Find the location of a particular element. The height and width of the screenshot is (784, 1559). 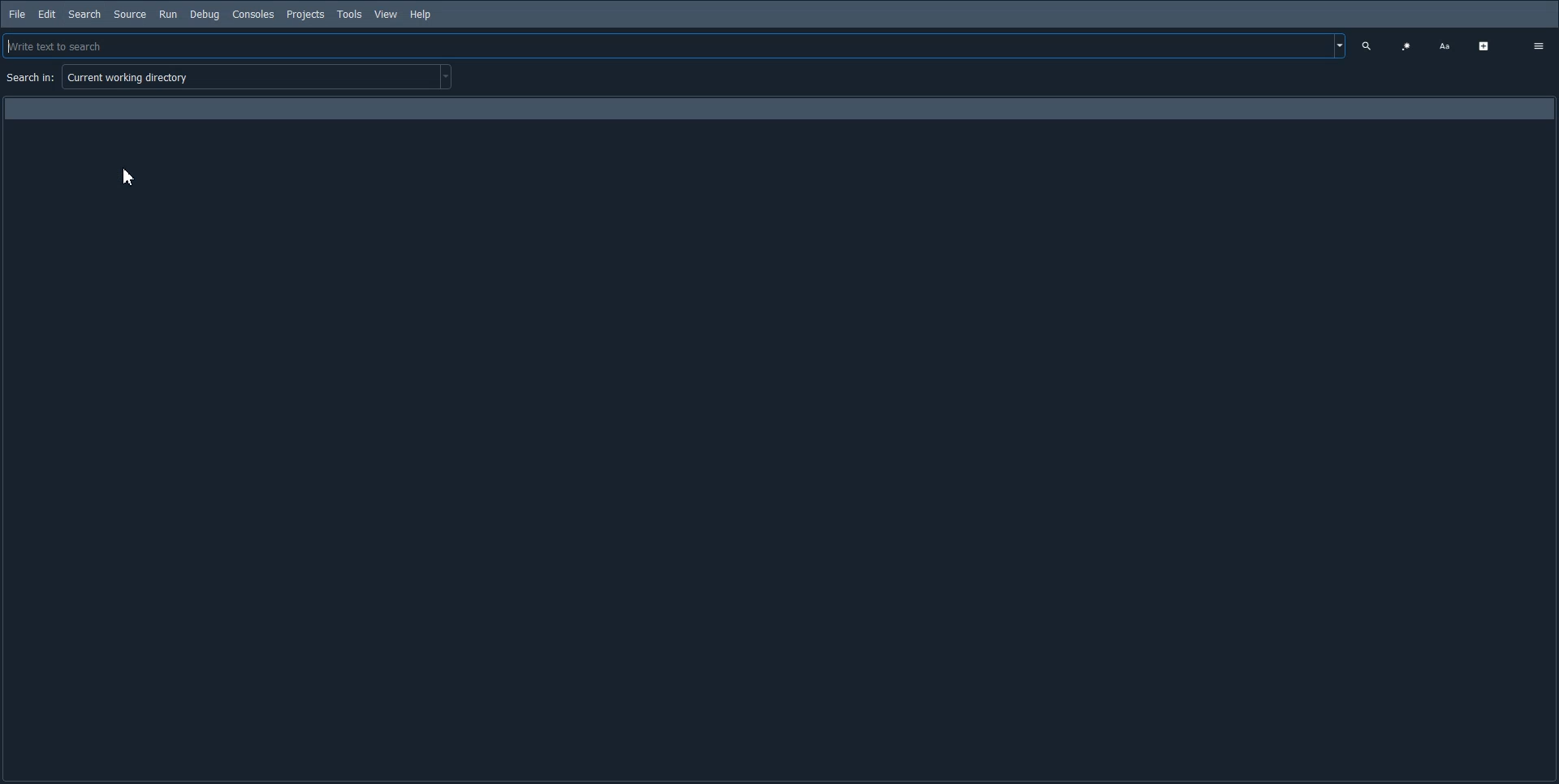

Debug is located at coordinates (205, 14).